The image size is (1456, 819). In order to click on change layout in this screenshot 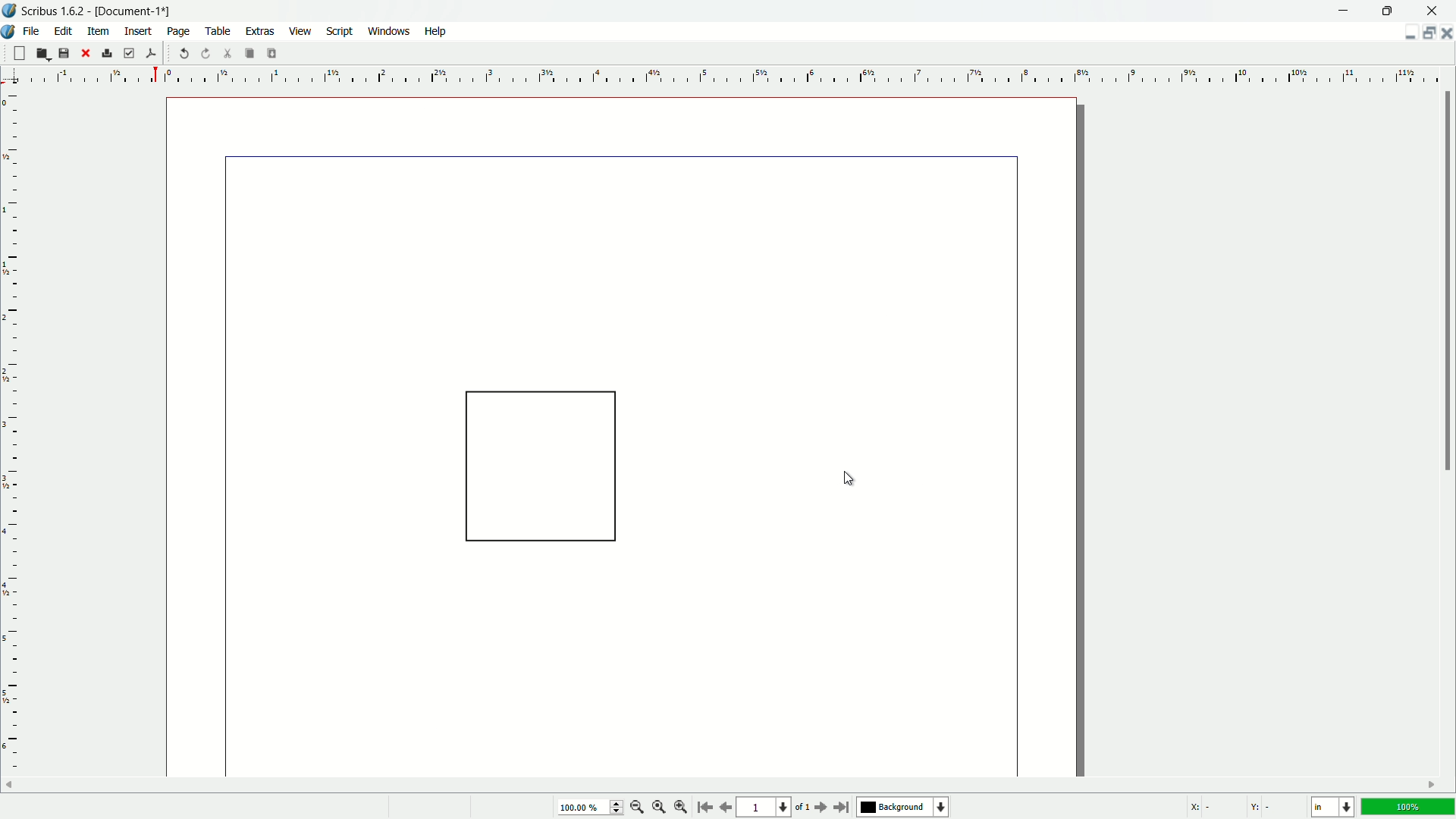, I will do `click(1426, 33)`.